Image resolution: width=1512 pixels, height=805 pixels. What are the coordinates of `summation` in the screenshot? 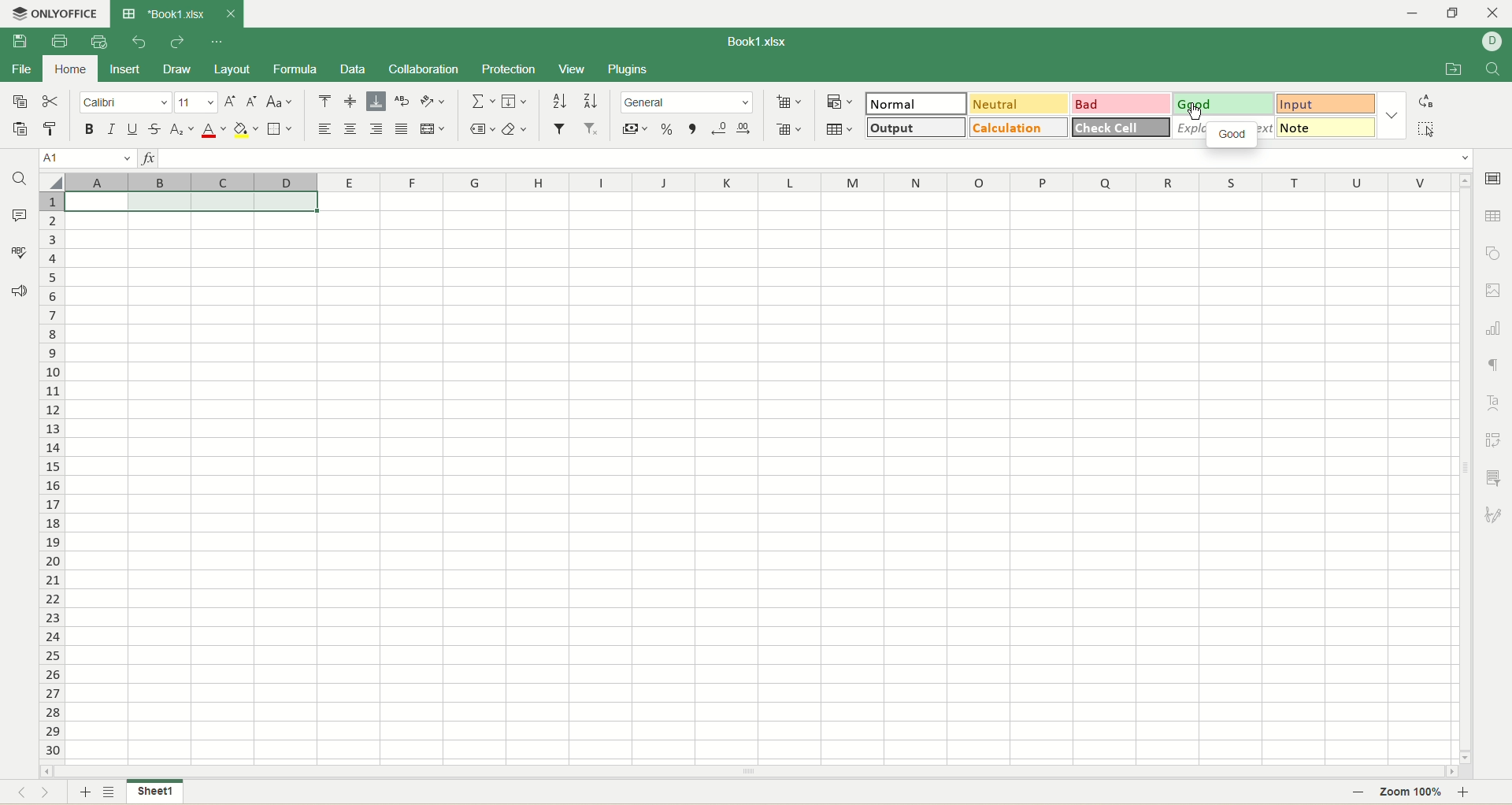 It's located at (484, 100).